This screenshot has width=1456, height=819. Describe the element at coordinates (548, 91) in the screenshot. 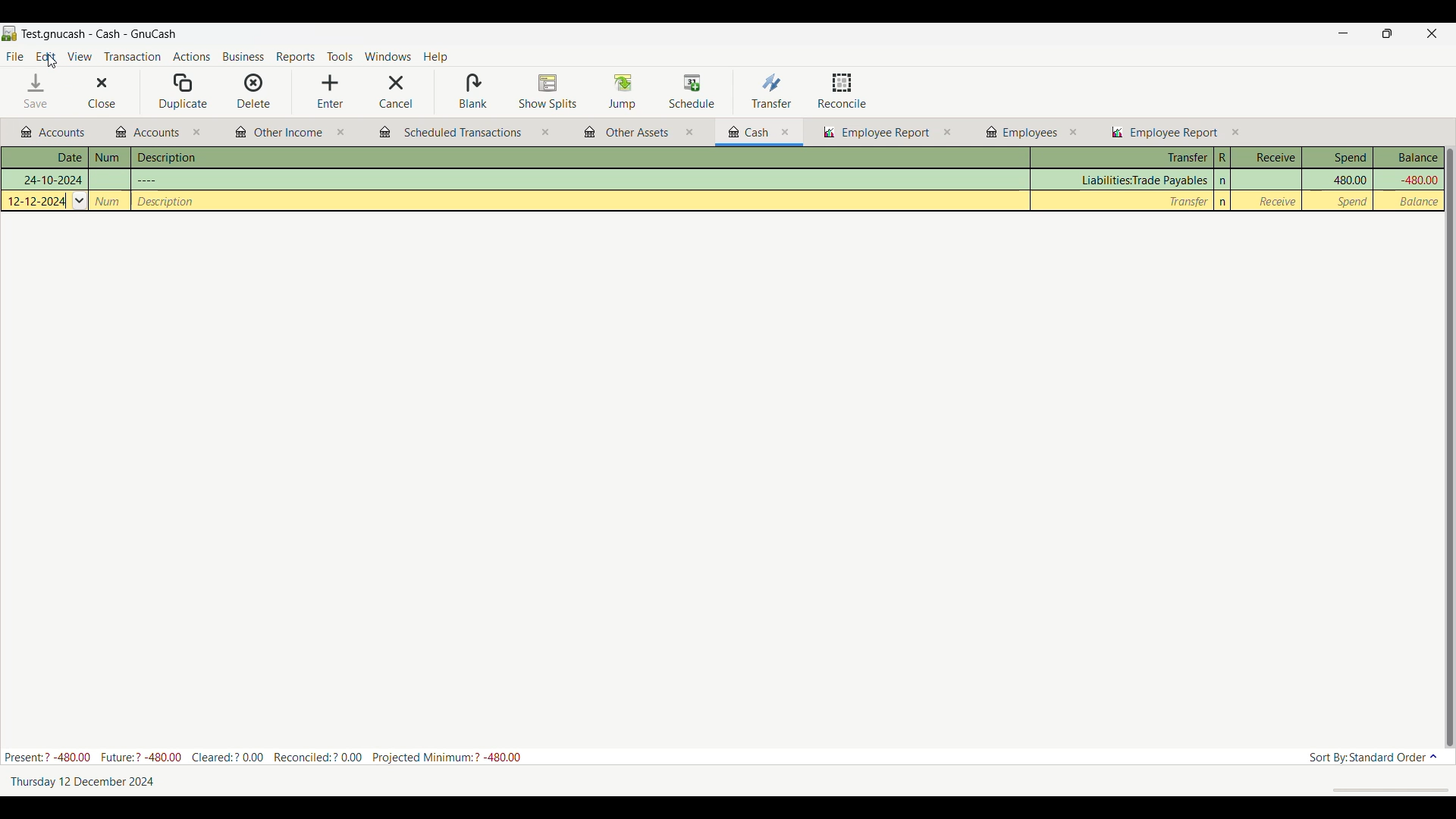

I see `Show splits` at that location.